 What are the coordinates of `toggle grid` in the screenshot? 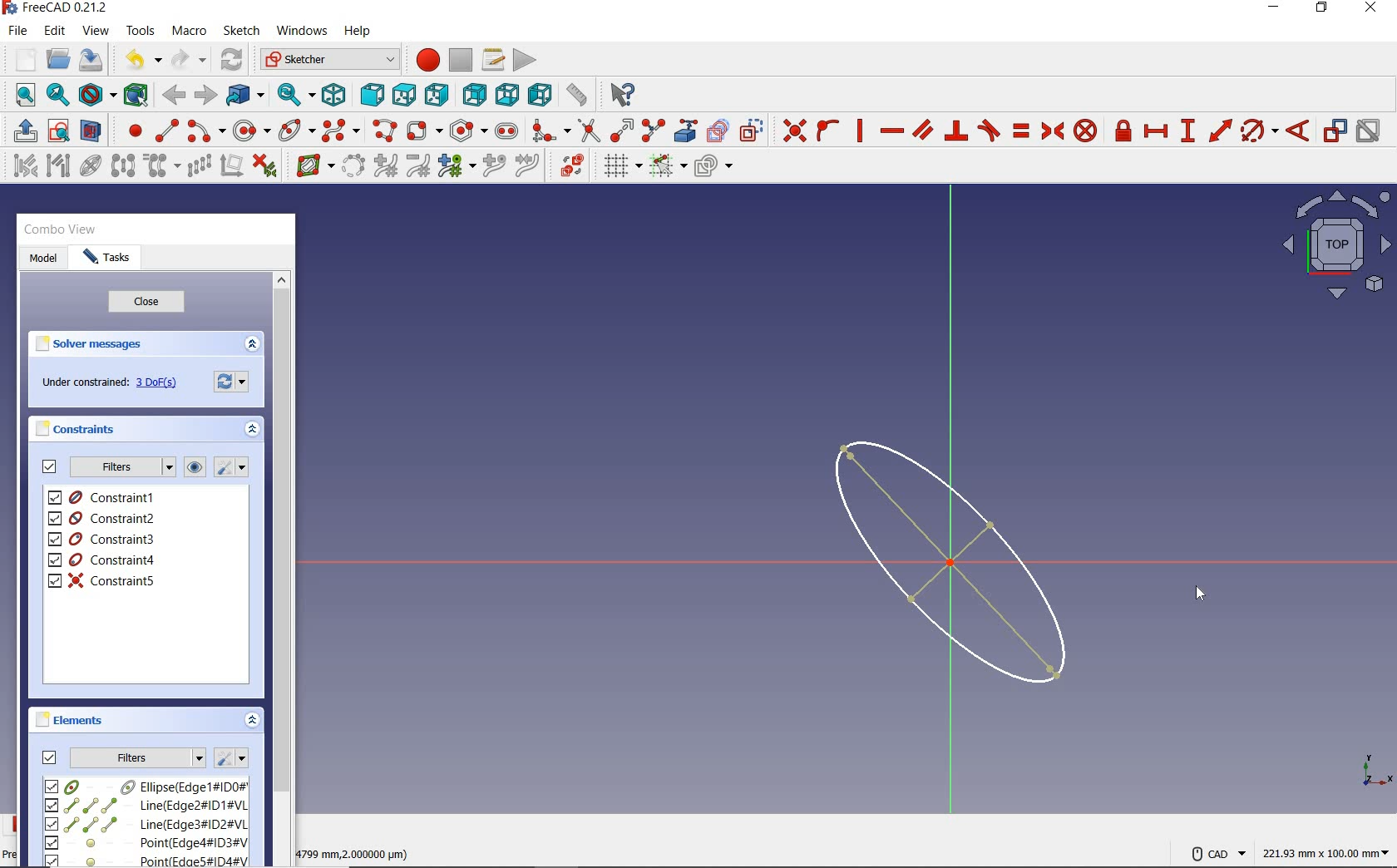 It's located at (620, 165).